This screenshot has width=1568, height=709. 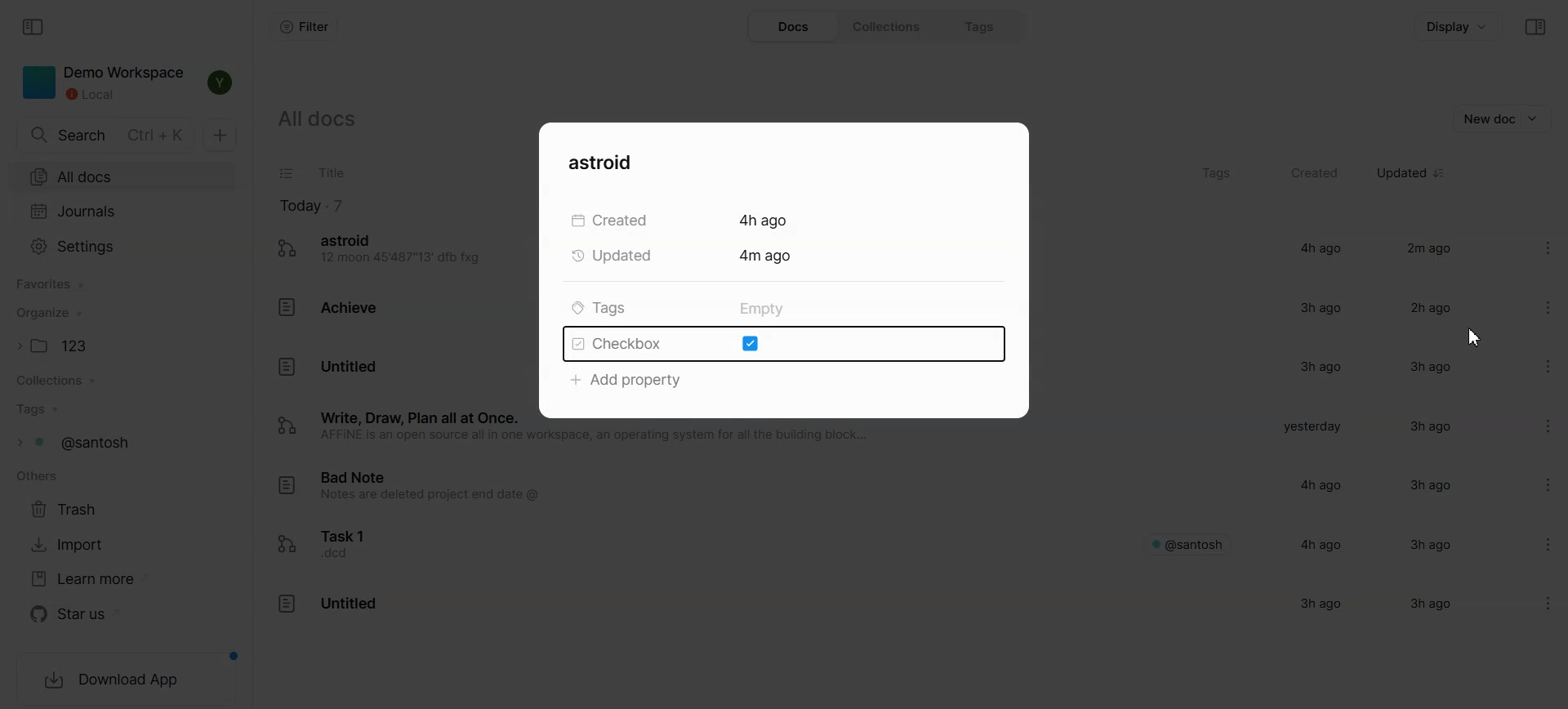 I want to click on 2h ago, so click(x=1426, y=310).